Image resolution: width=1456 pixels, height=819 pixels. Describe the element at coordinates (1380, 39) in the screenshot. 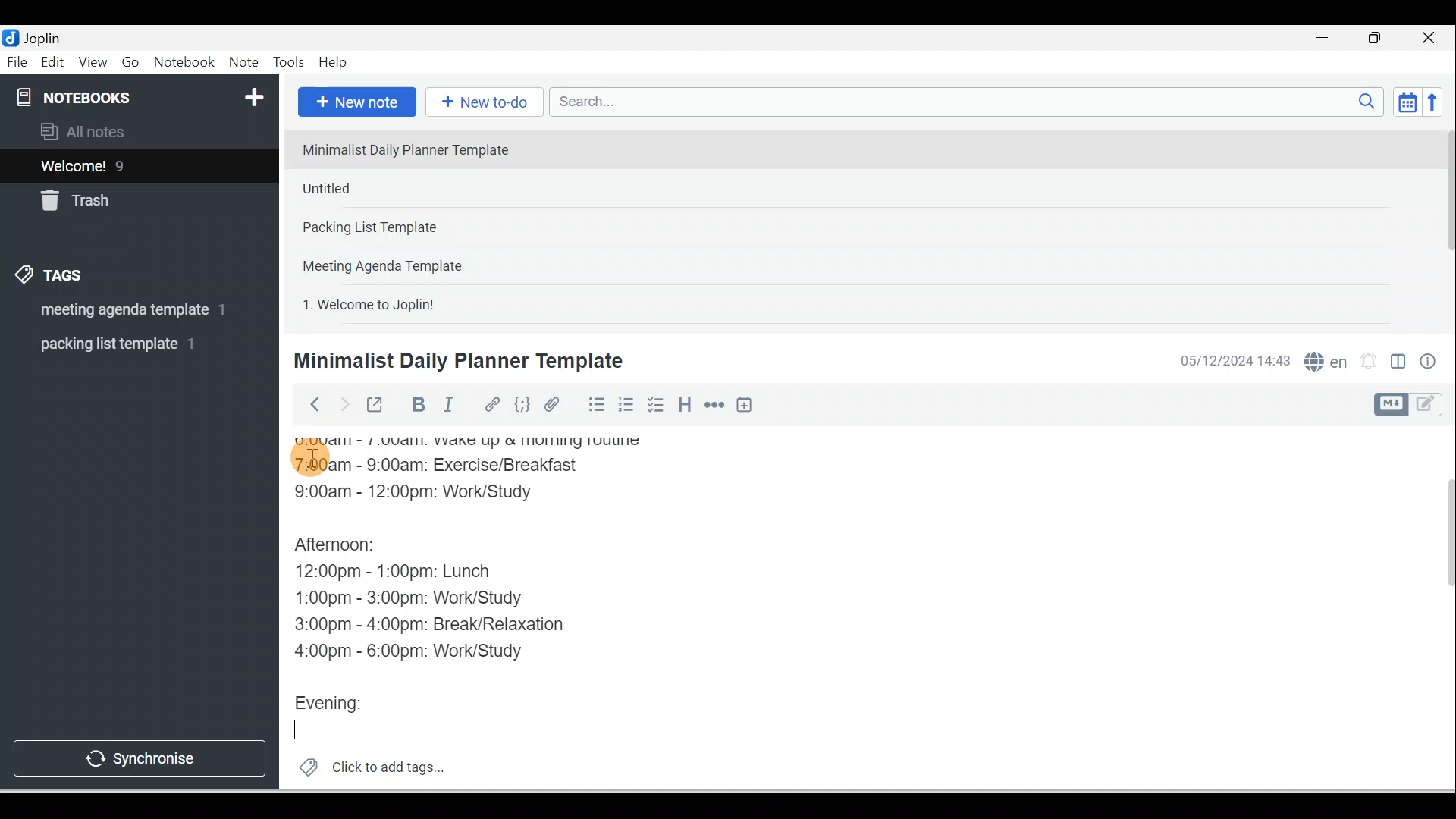

I see `Maximise` at that location.